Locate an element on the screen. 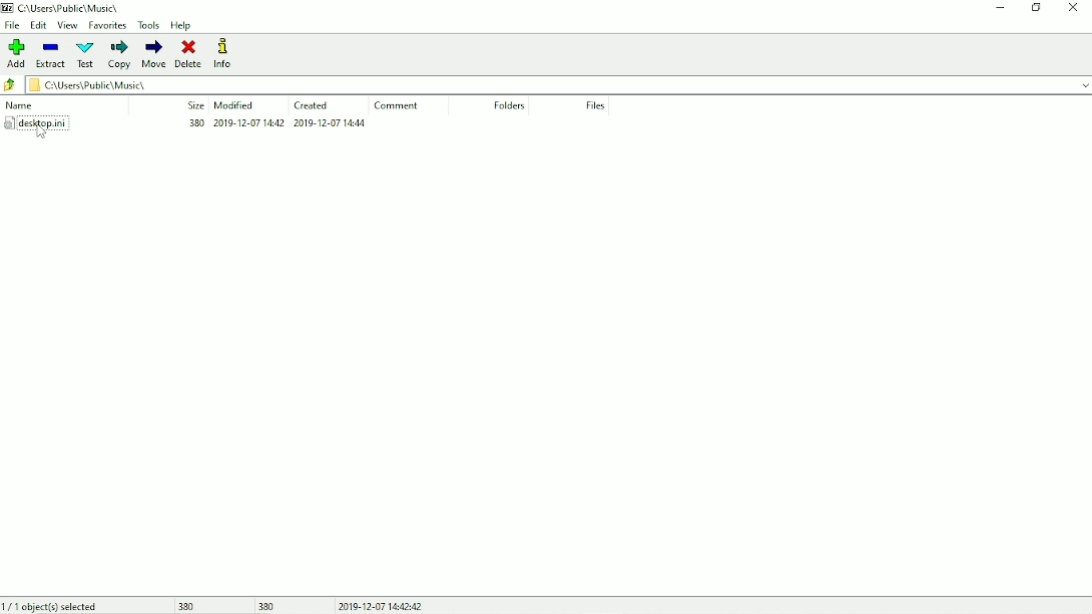 This screenshot has width=1092, height=614. Tools is located at coordinates (148, 25).